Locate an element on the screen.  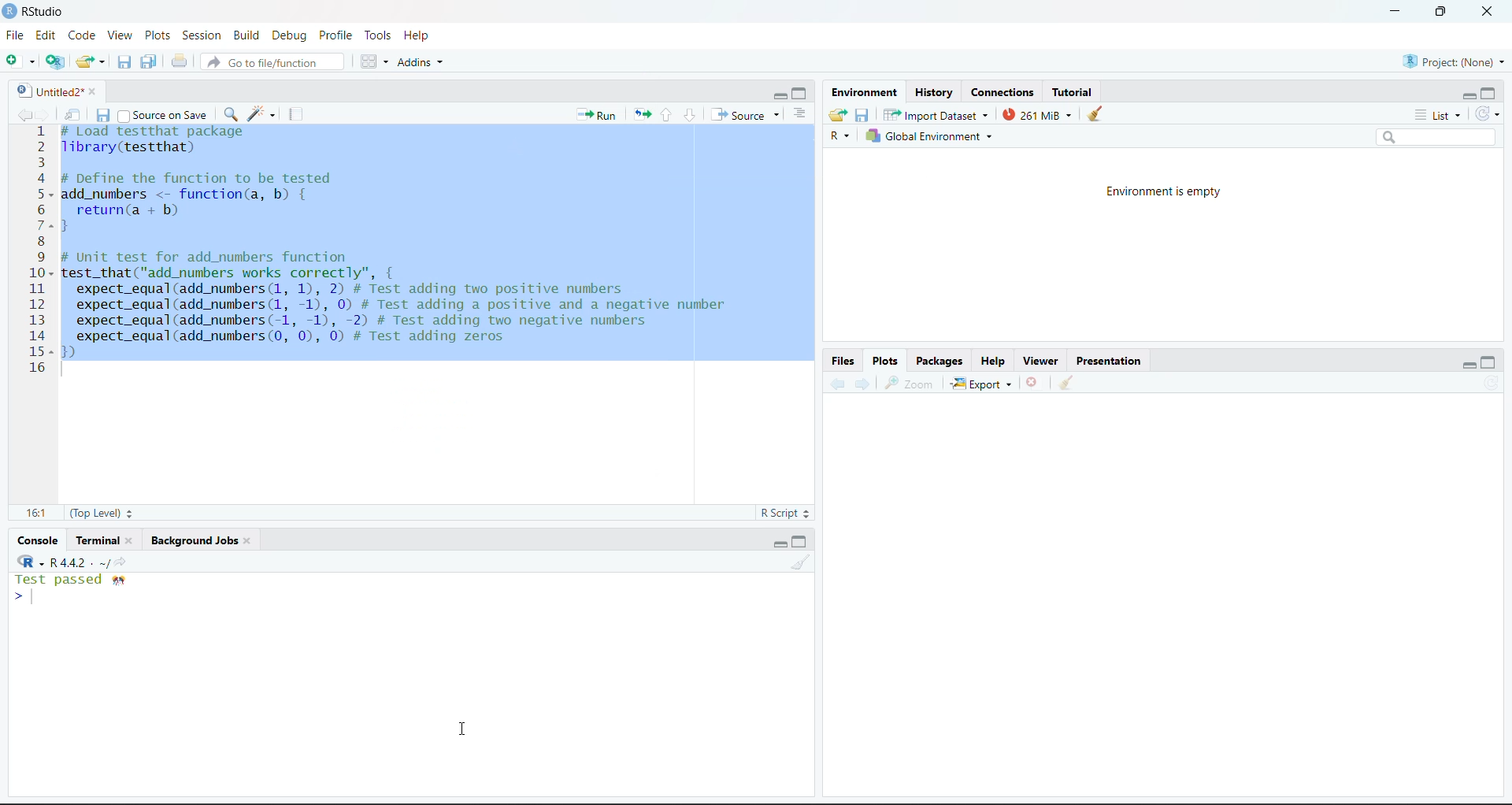
Stepper buttons is located at coordinates (810, 513).